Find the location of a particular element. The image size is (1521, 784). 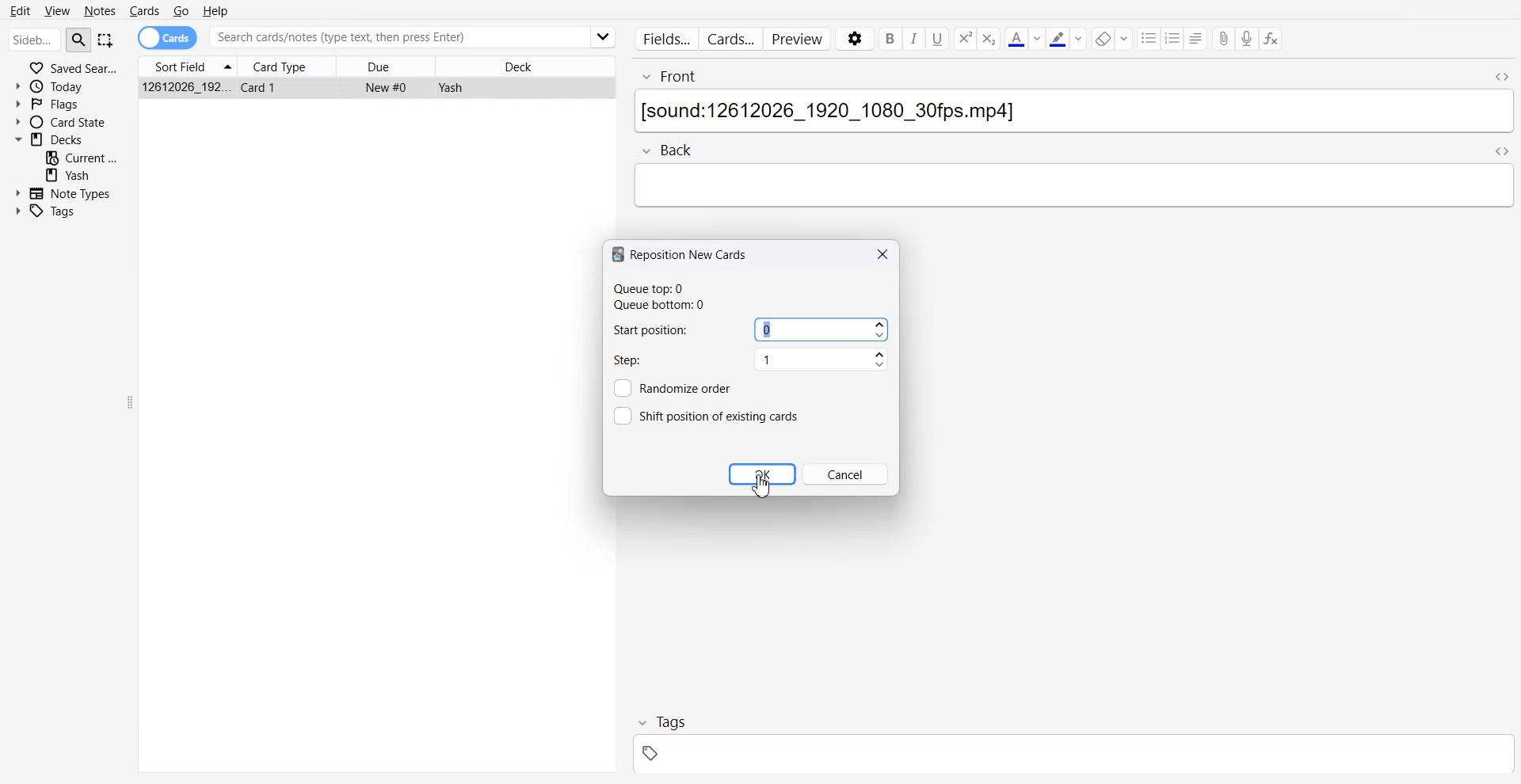

Fields is located at coordinates (663, 38).